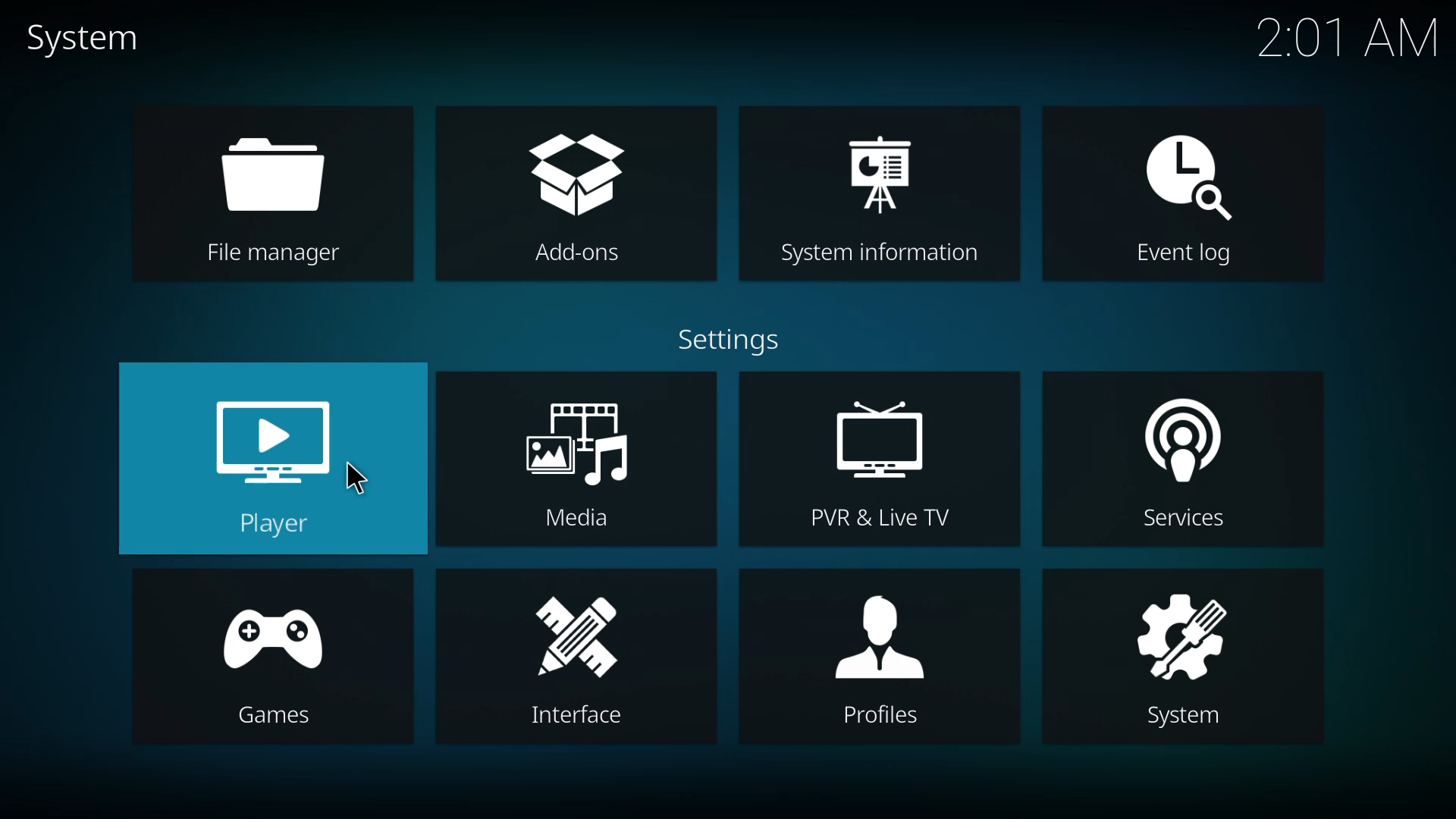  Describe the element at coordinates (355, 480) in the screenshot. I see `cursor` at that location.